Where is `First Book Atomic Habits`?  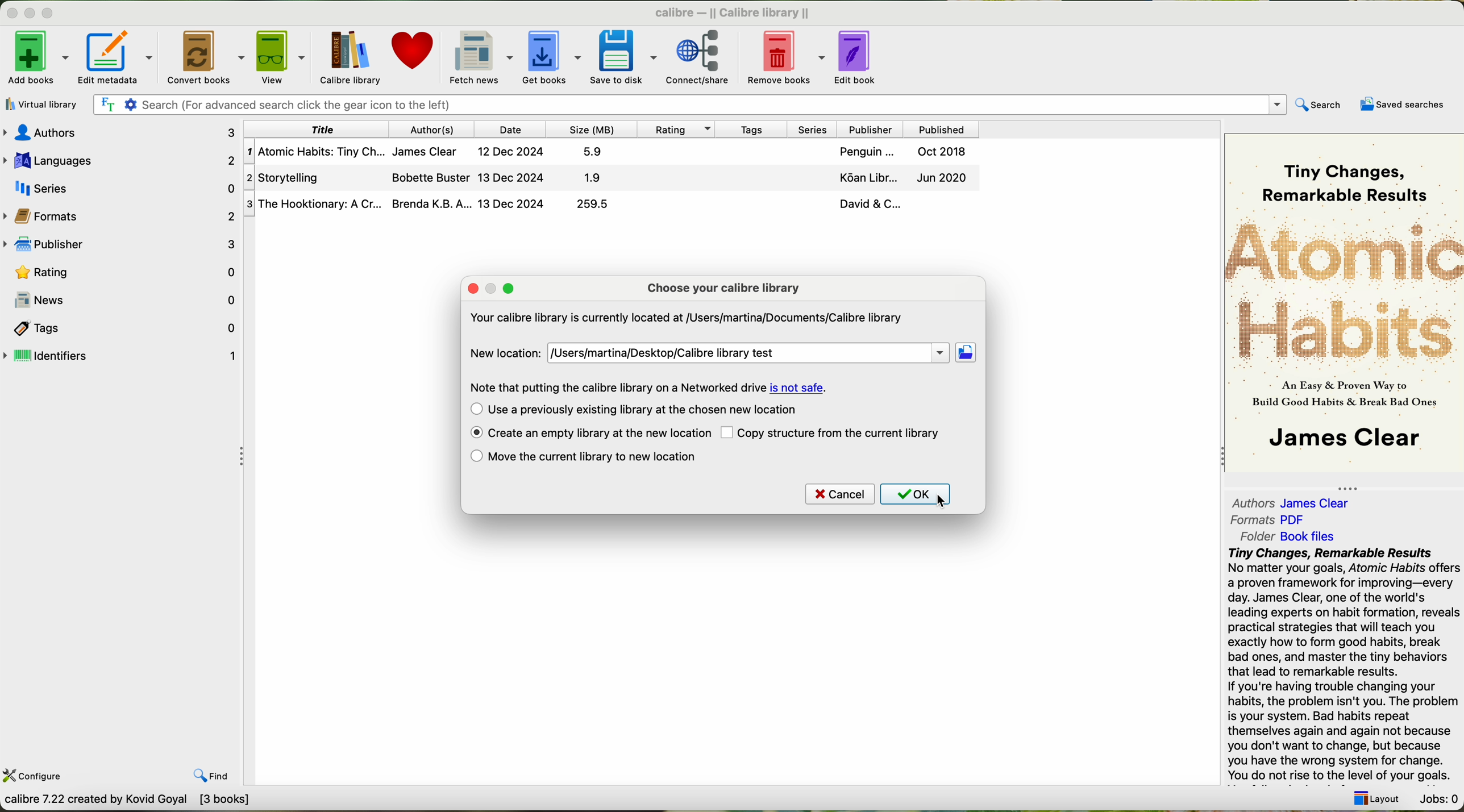 First Book Atomic Habits is located at coordinates (615, 153).